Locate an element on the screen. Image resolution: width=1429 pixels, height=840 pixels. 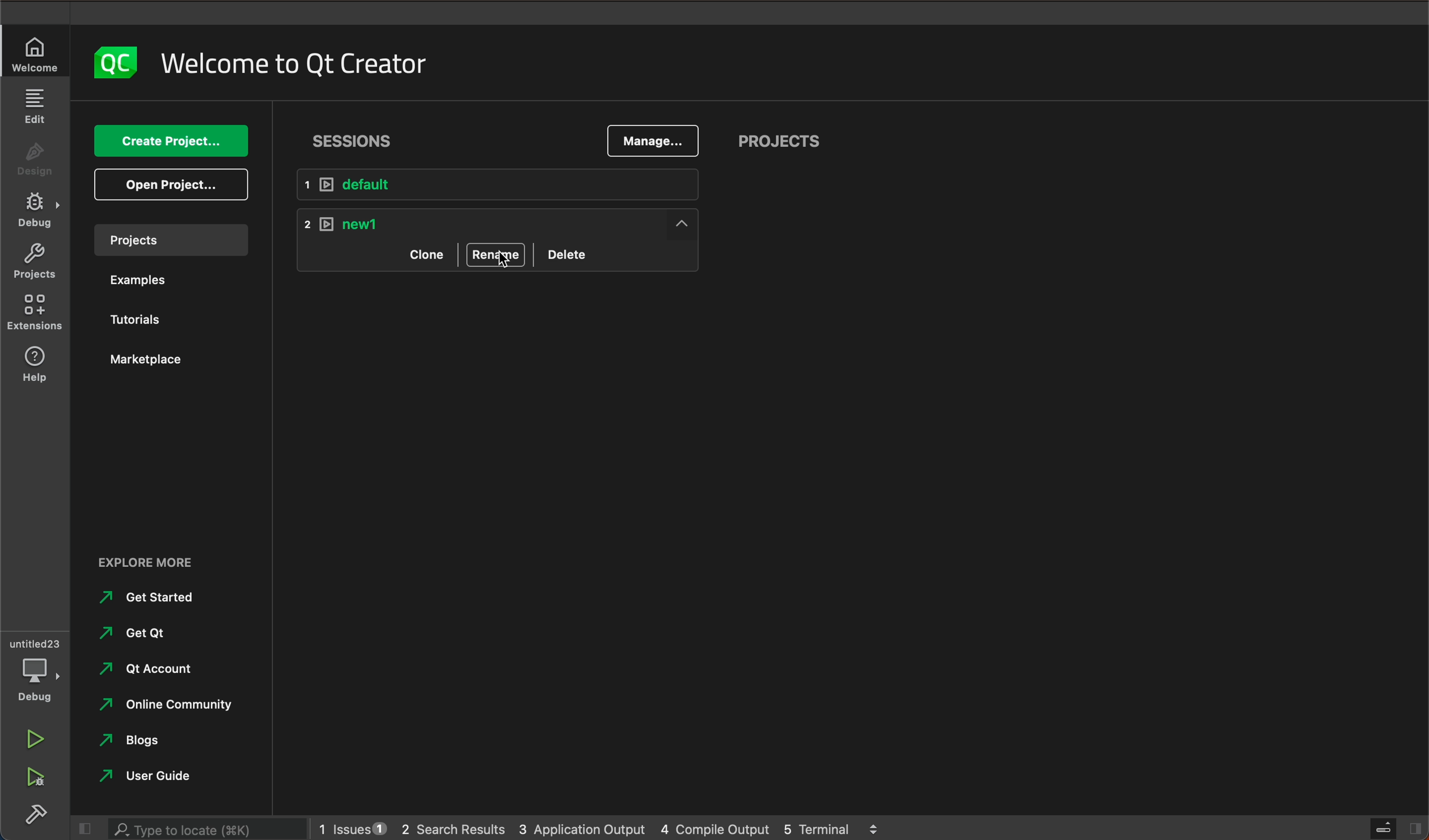
external links is located at coordinates (171, 565).